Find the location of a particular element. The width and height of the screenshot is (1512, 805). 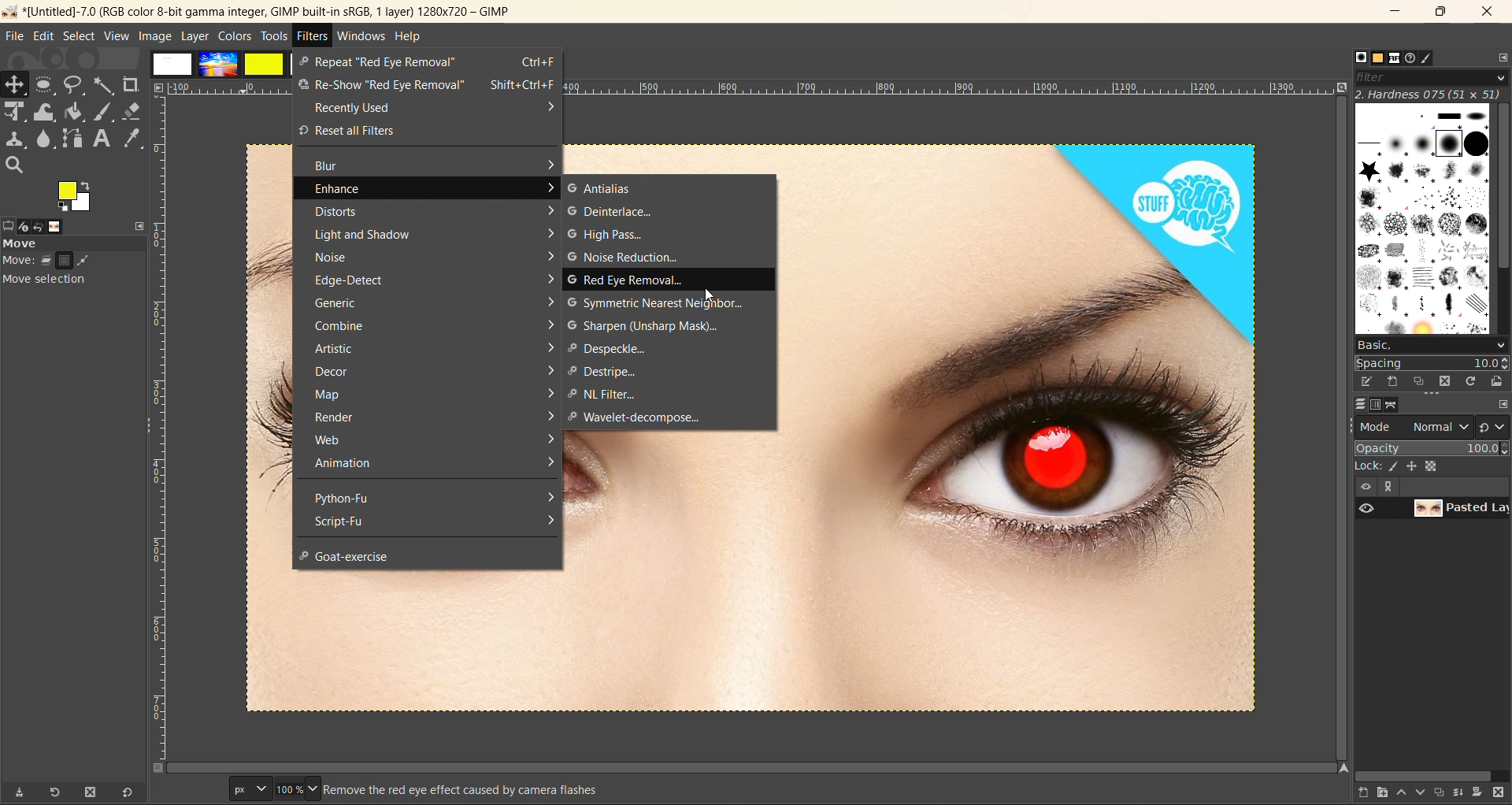

close is located at coordinates (1488, 12).